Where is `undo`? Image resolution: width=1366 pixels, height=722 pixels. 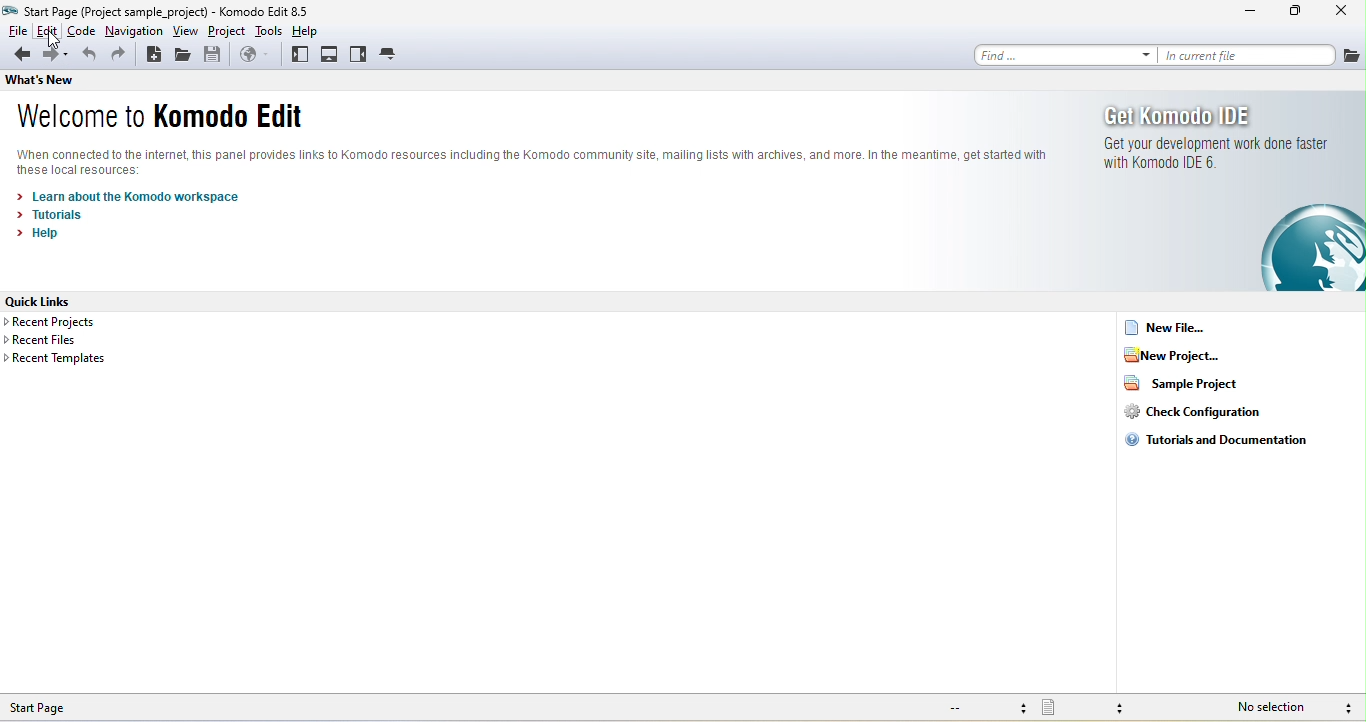
undo is located at coordinates (88, 54).